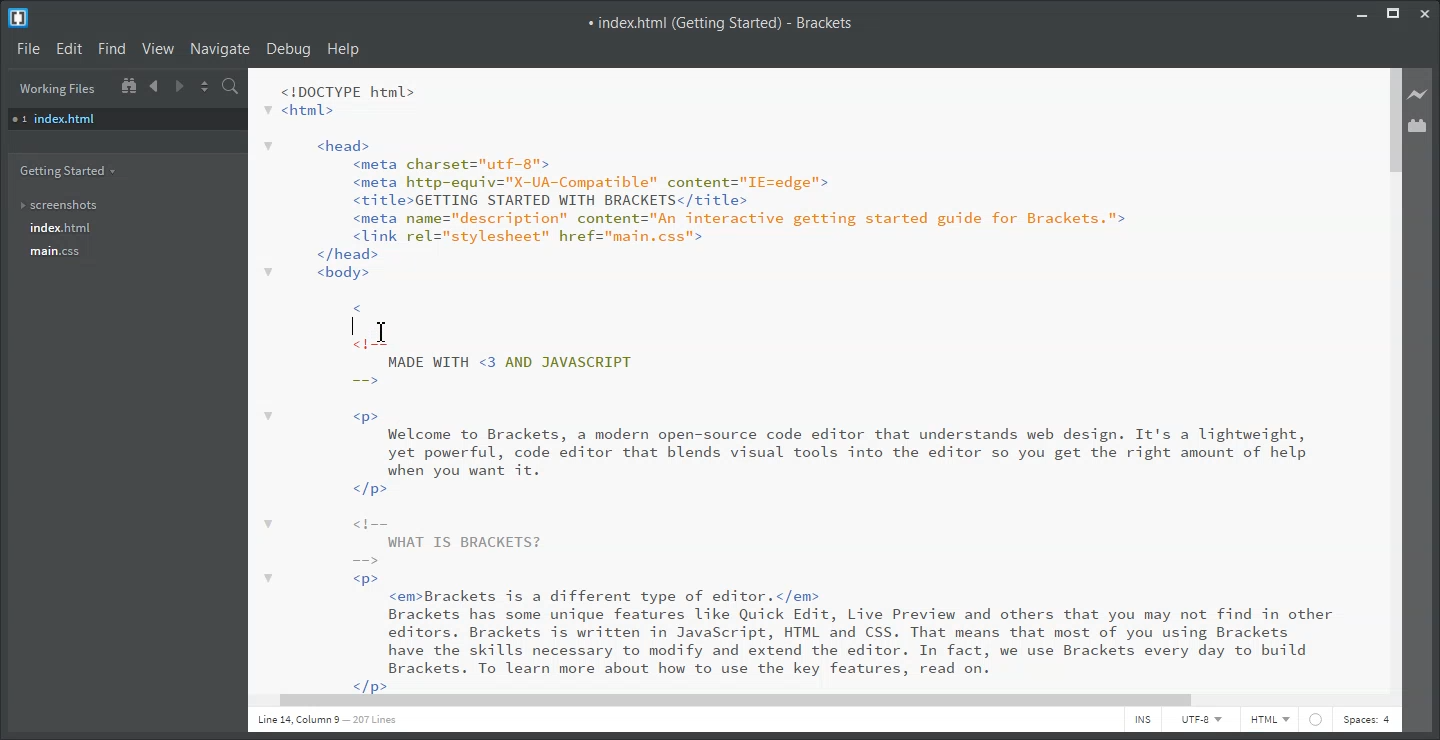 The height and width of the screenshot is (740, 1440). What do you see at coordinates (157, 48) in the screenshot?
I see `View` at bounding box center [157, 48].